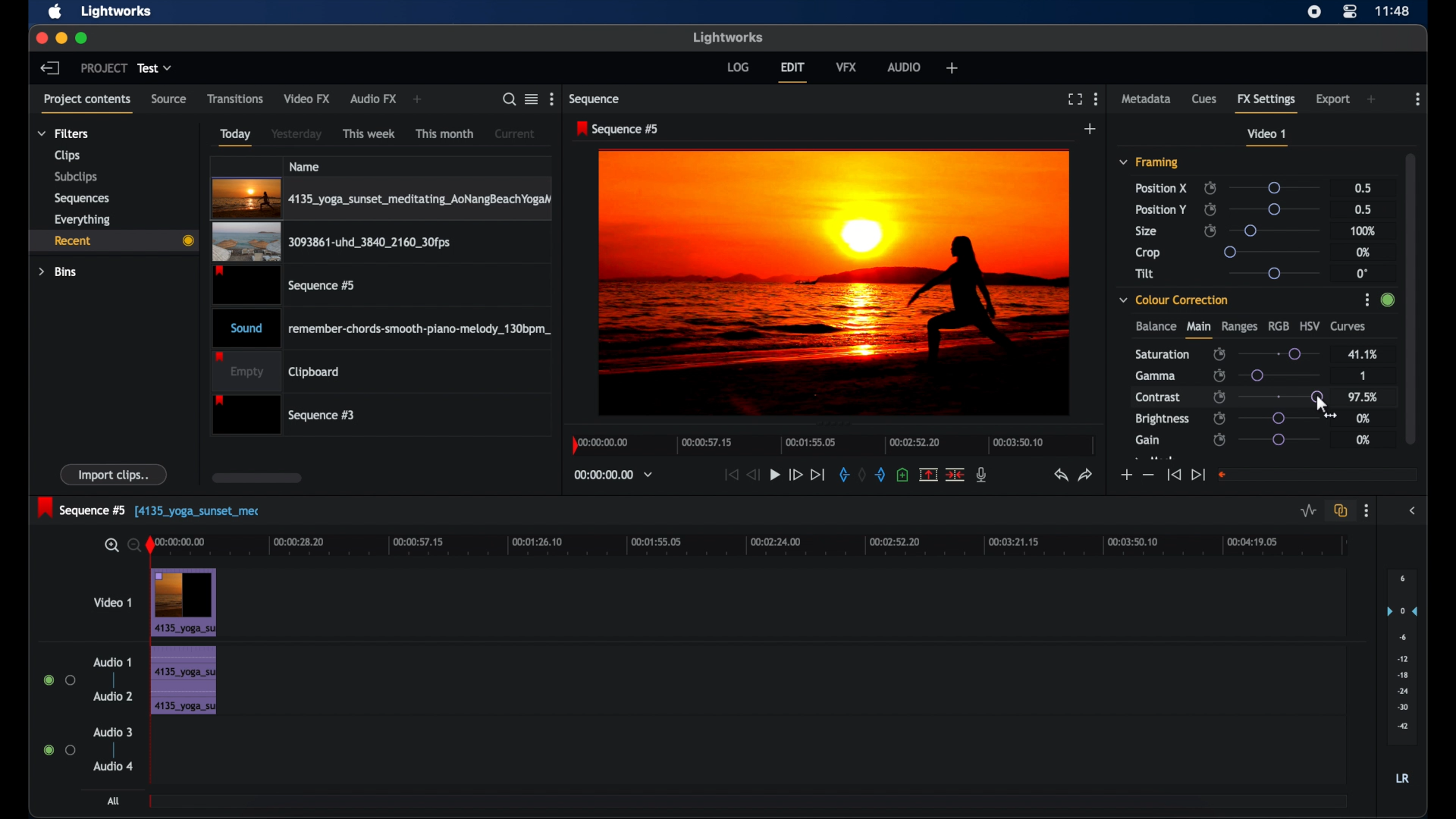  I want to click on timecodes and reels, so click(613, 475).